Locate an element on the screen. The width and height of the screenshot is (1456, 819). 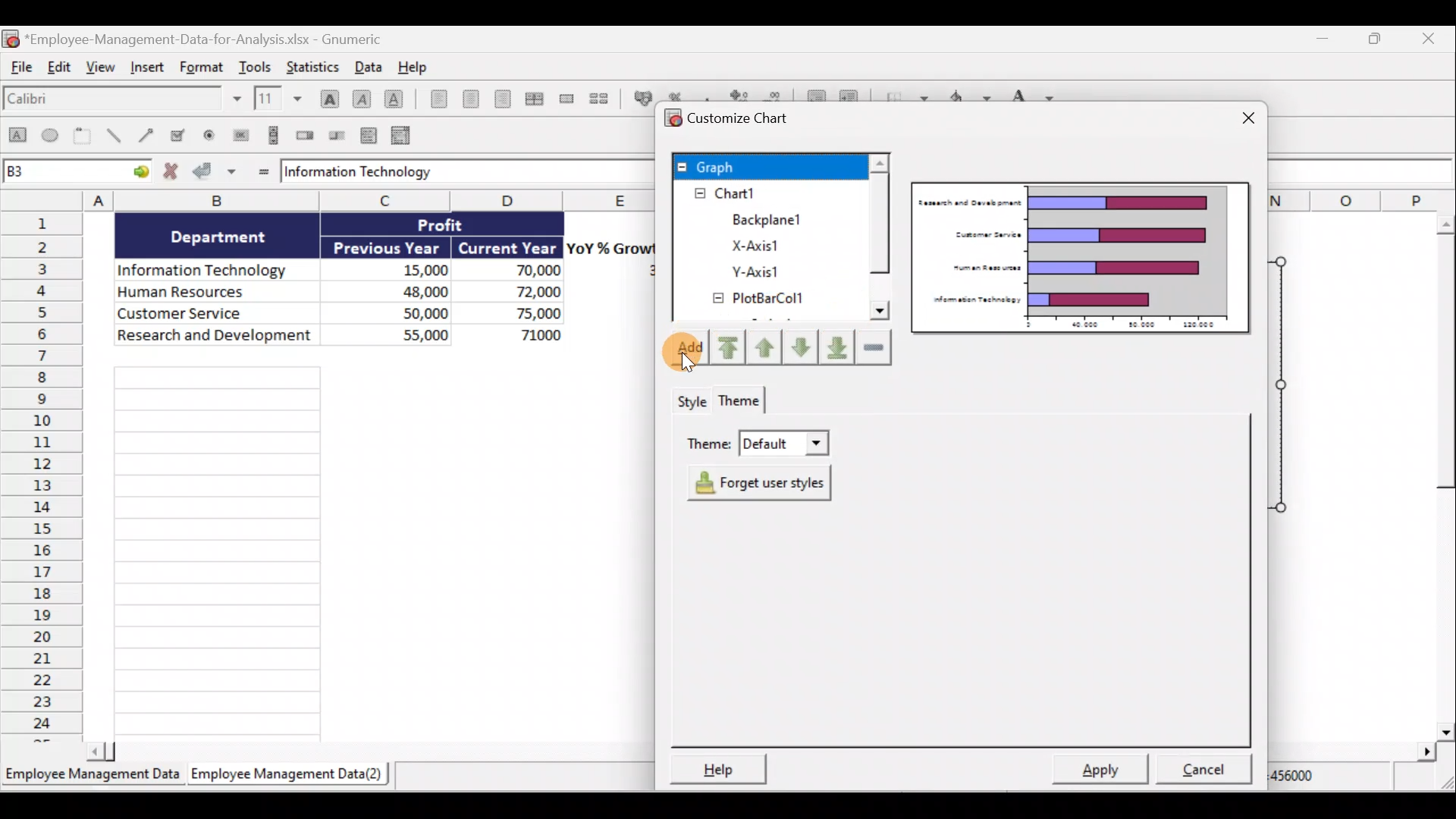
Data is located at coordinates (369, 66).